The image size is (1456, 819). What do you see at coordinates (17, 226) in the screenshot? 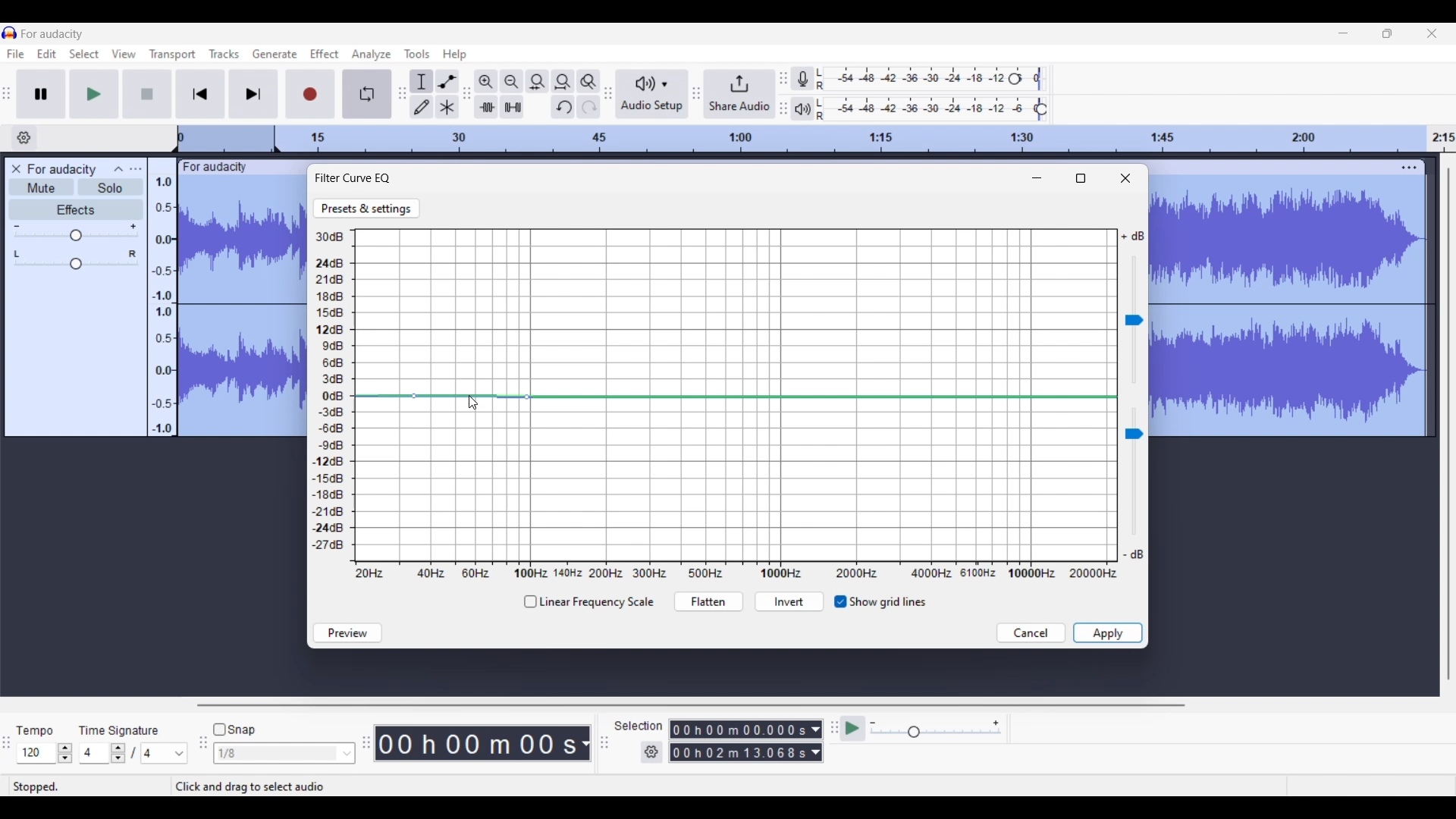
I see `Min. gain` at bounding box center [17, 226].